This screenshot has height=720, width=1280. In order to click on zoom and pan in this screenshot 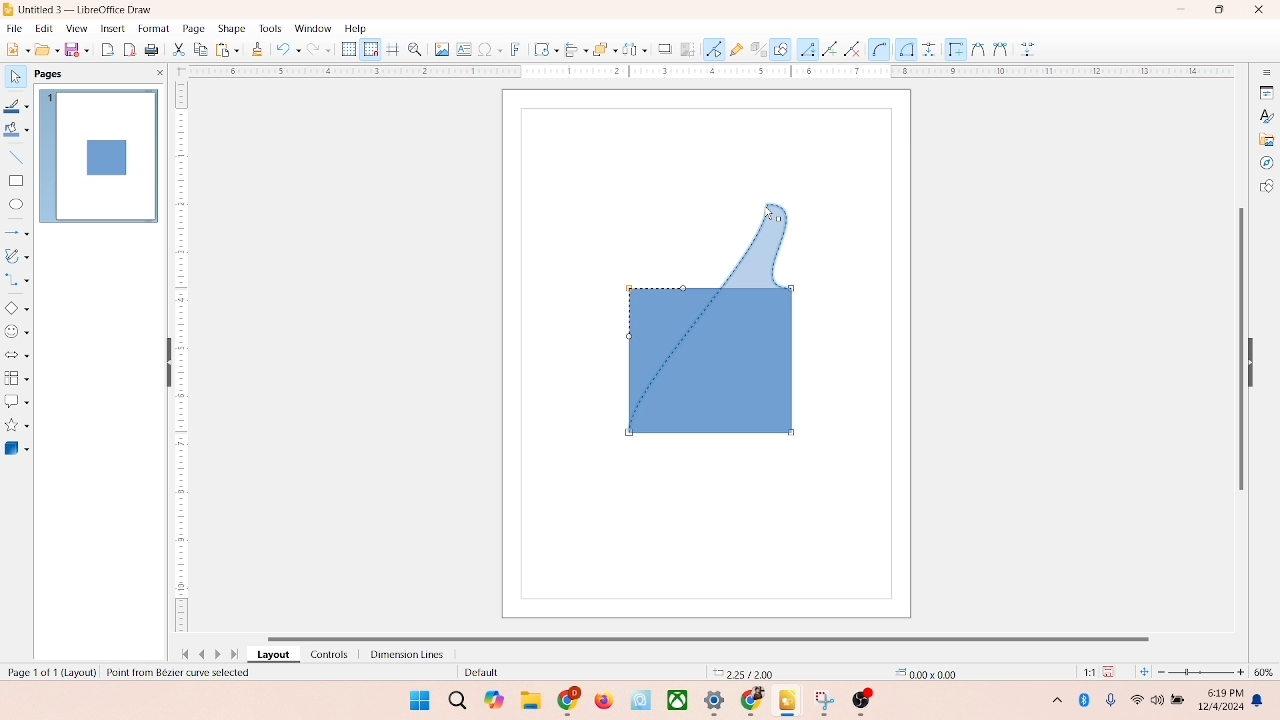, I will do `click(414, 48)`.